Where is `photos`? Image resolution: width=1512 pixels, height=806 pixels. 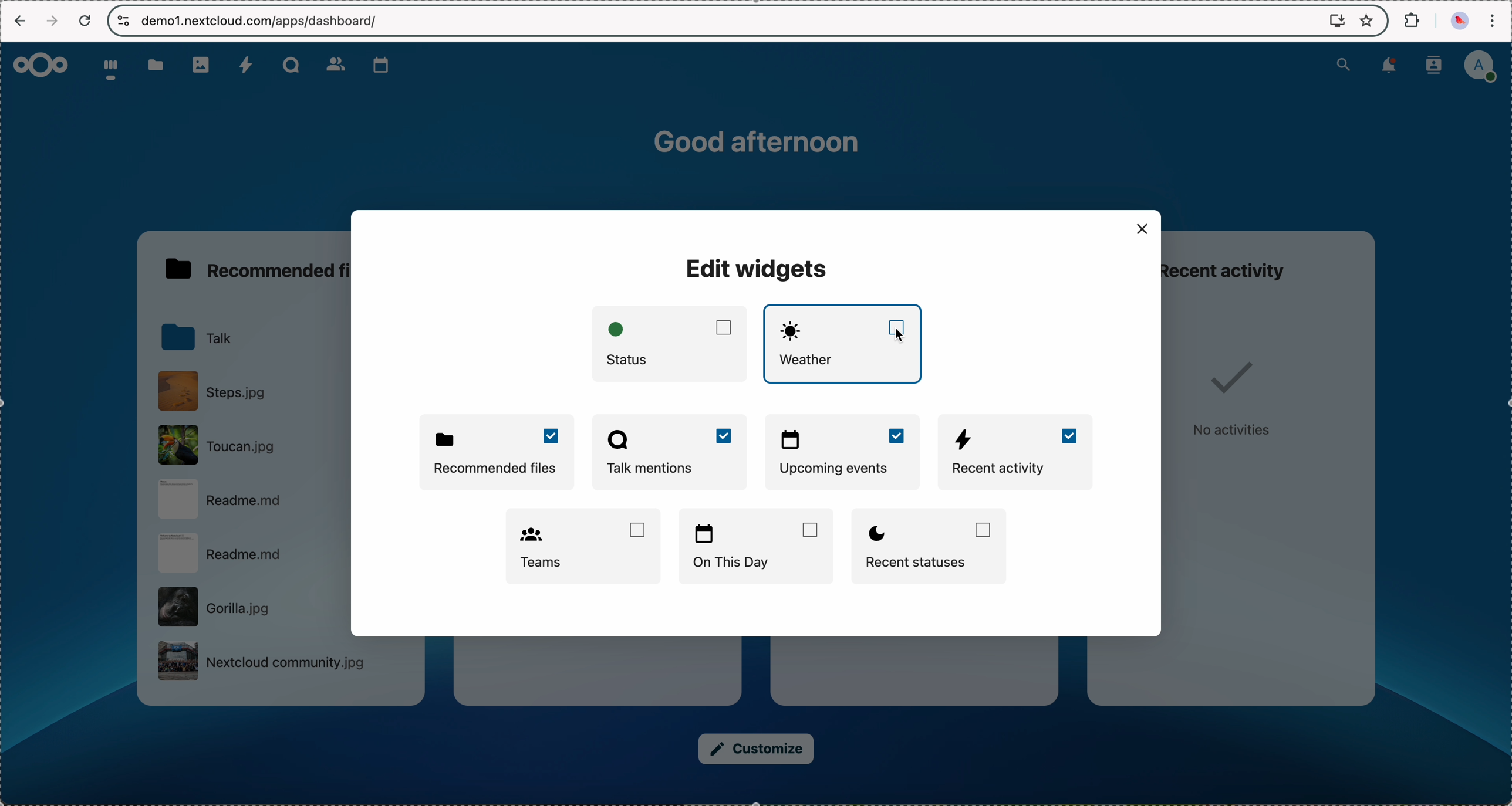
photos is located at coordinates (202, 65).